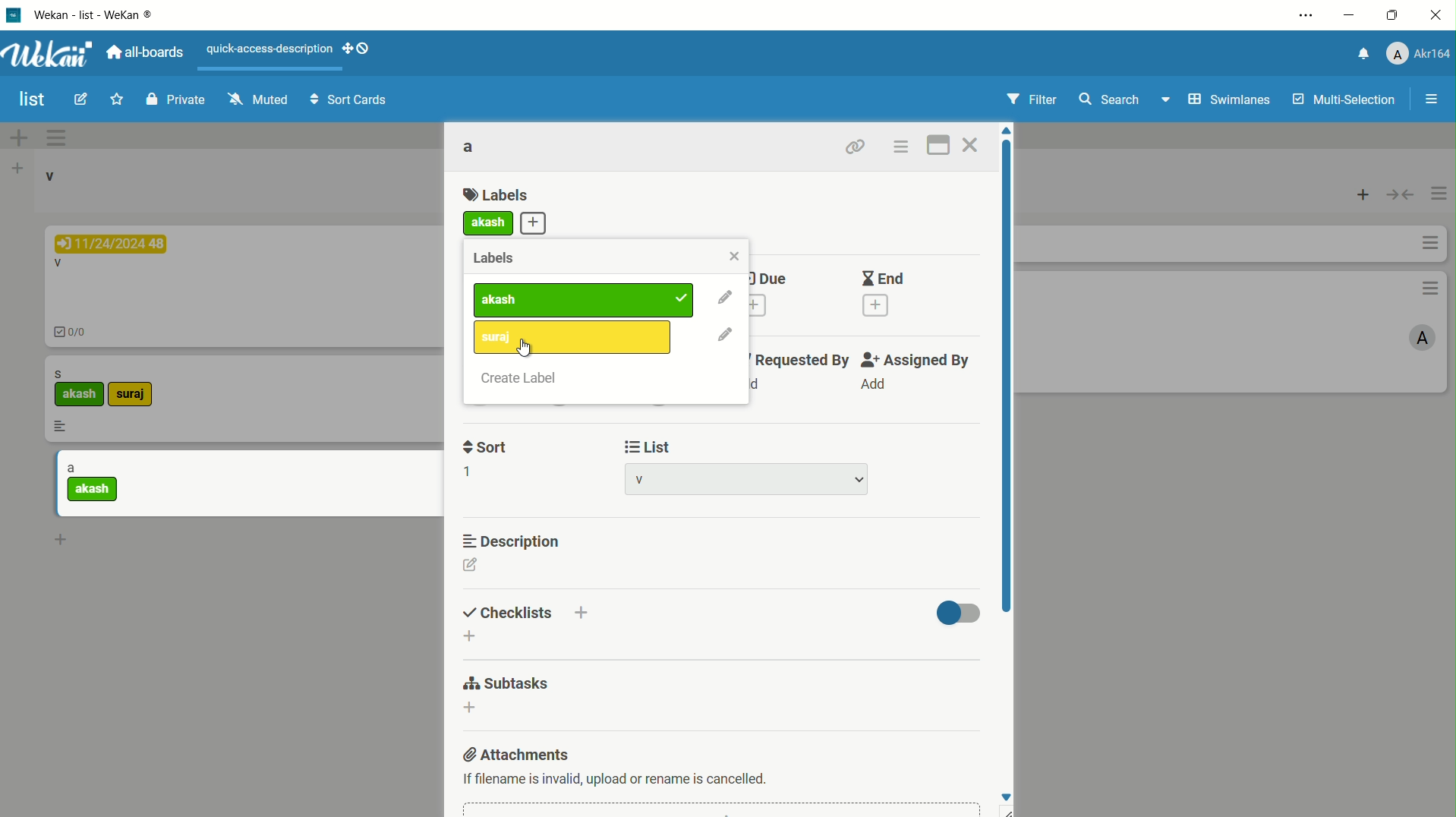 The width and height of the screenshot is (1456, 817). What do you see at coordinates (852, 147) in the screenshot?
I see `copy link to clipboard` at bounding box center [852, 147].